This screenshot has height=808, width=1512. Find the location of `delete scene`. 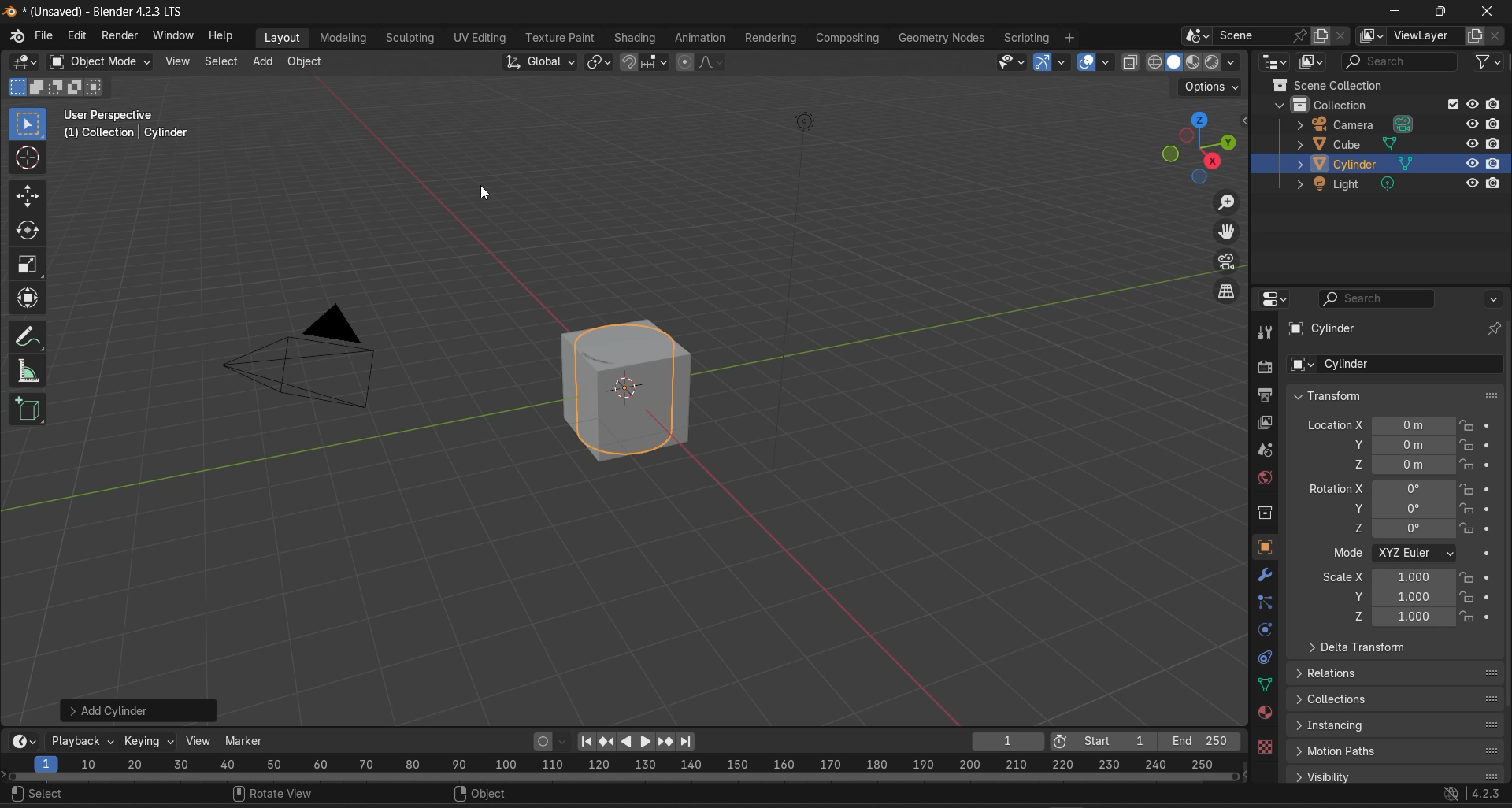

delete scene is located at coordinates (1340, 35).